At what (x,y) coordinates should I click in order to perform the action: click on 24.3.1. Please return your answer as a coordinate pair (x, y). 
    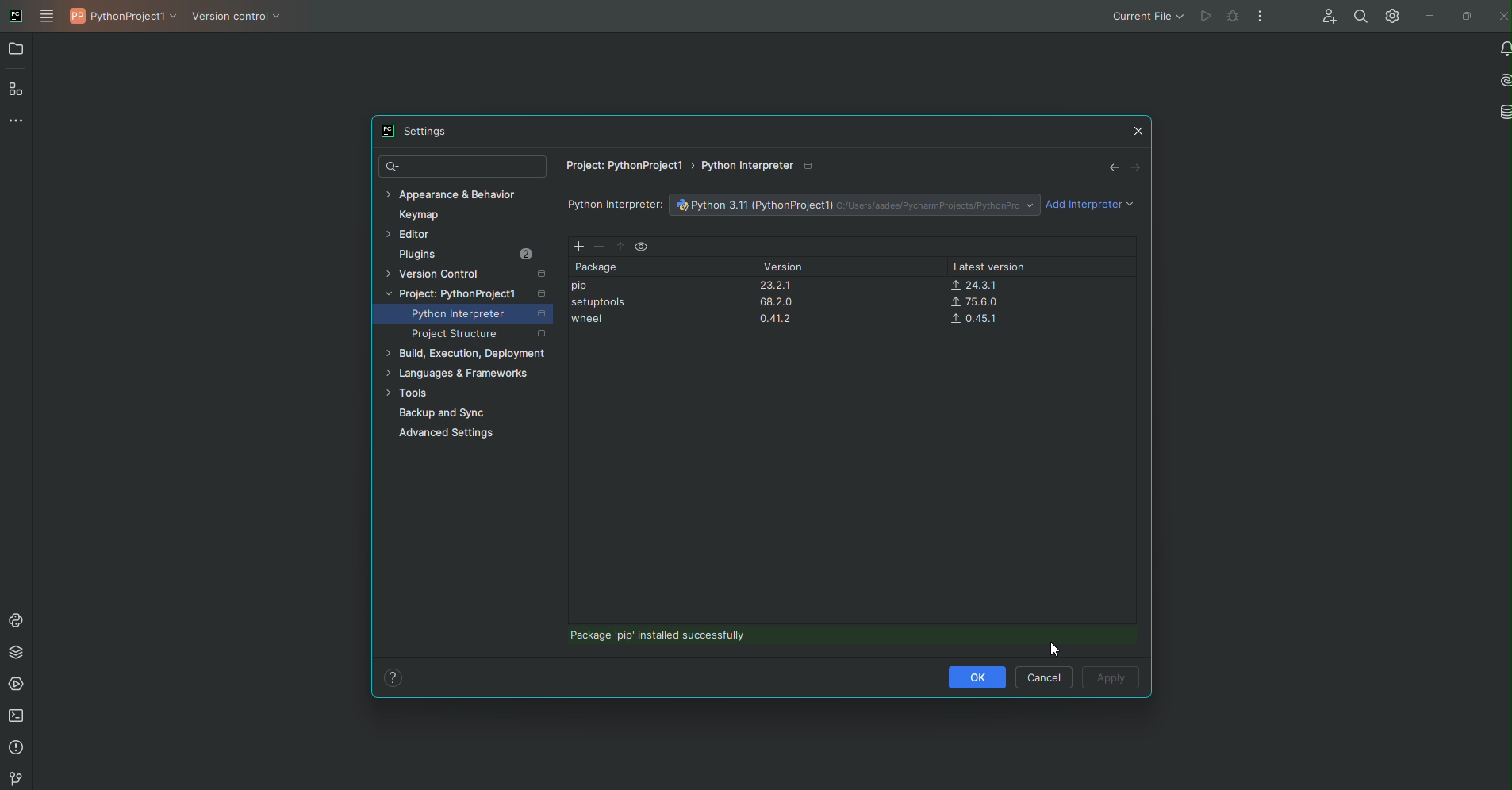
    Looking at the image, I should click on (976, 285).